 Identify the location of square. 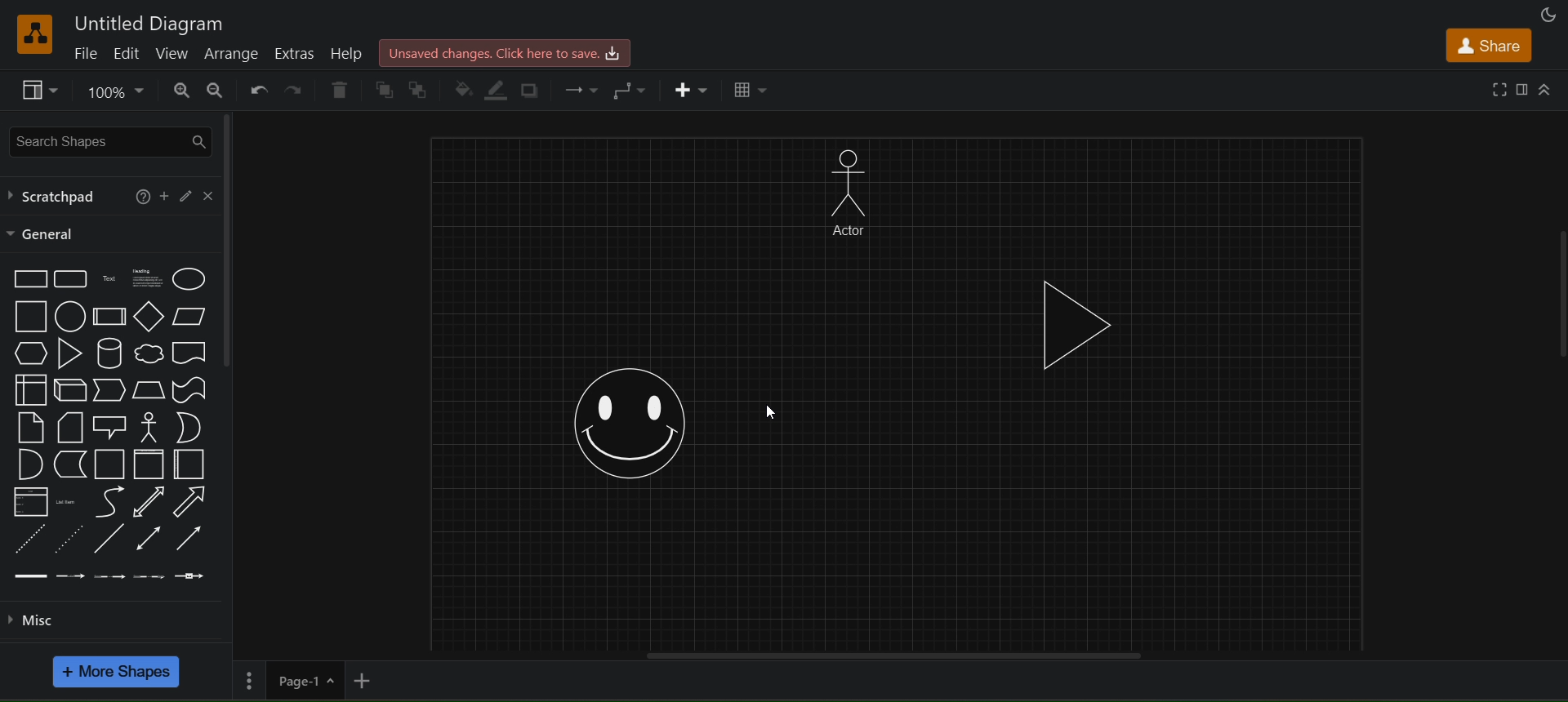
(29, 317).